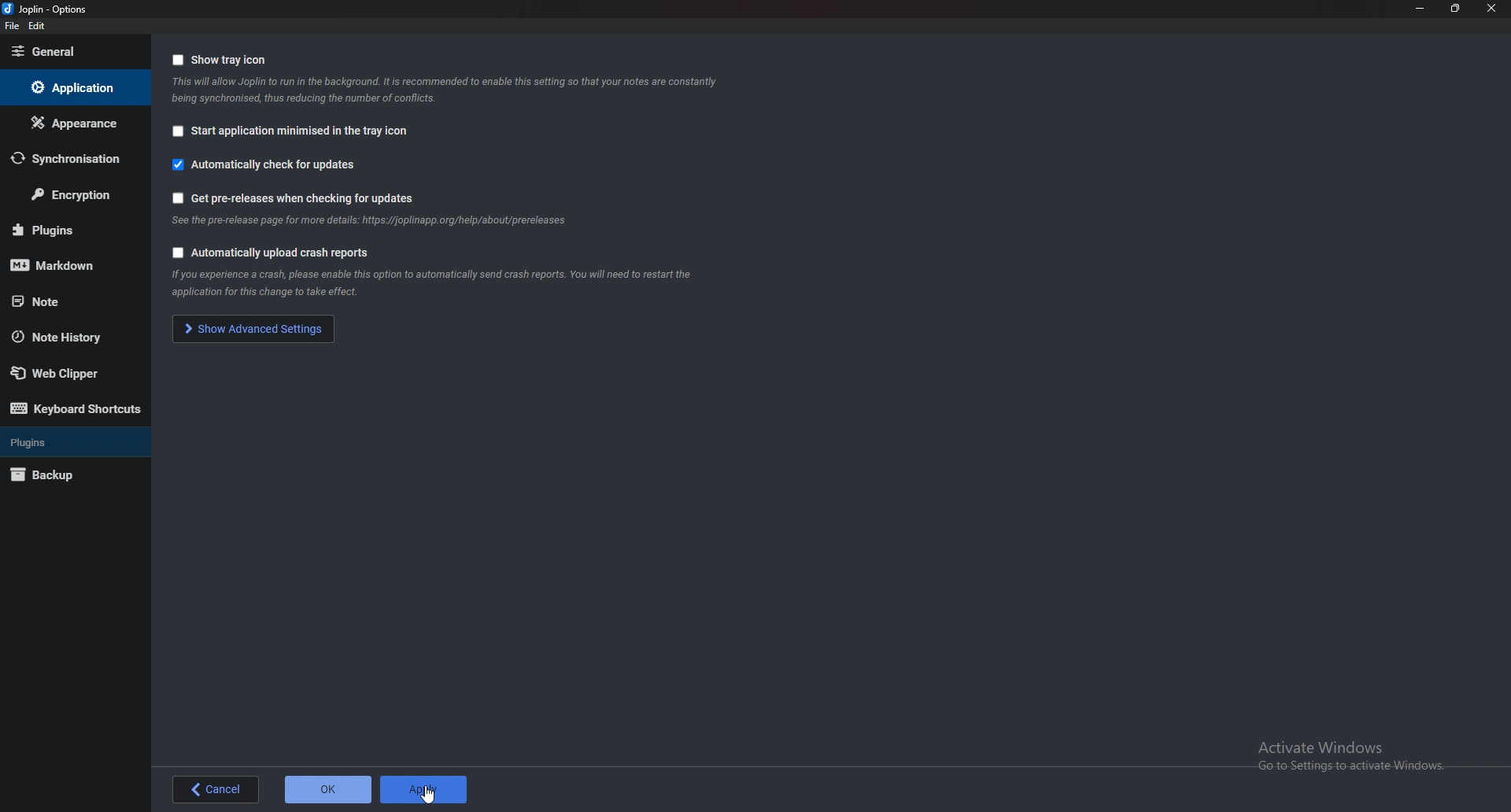 The image size is (1511, 812). What do you see at coordinates (64, 301) in the screenshot?
I see `note` at bounding box center [64, 301].